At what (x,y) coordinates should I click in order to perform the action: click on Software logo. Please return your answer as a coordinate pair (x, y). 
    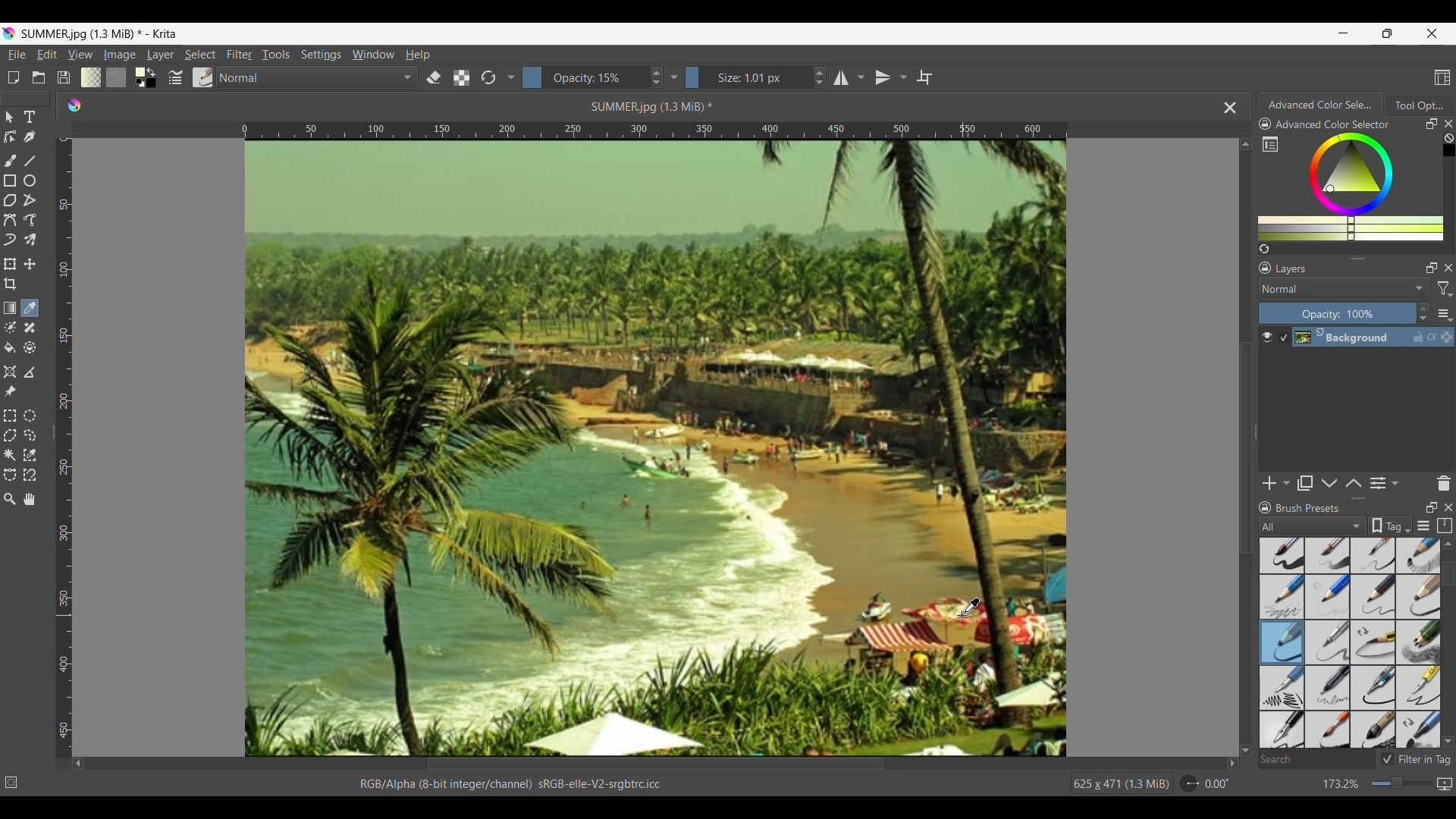
    Looking at the image, I should click on (74, 105).